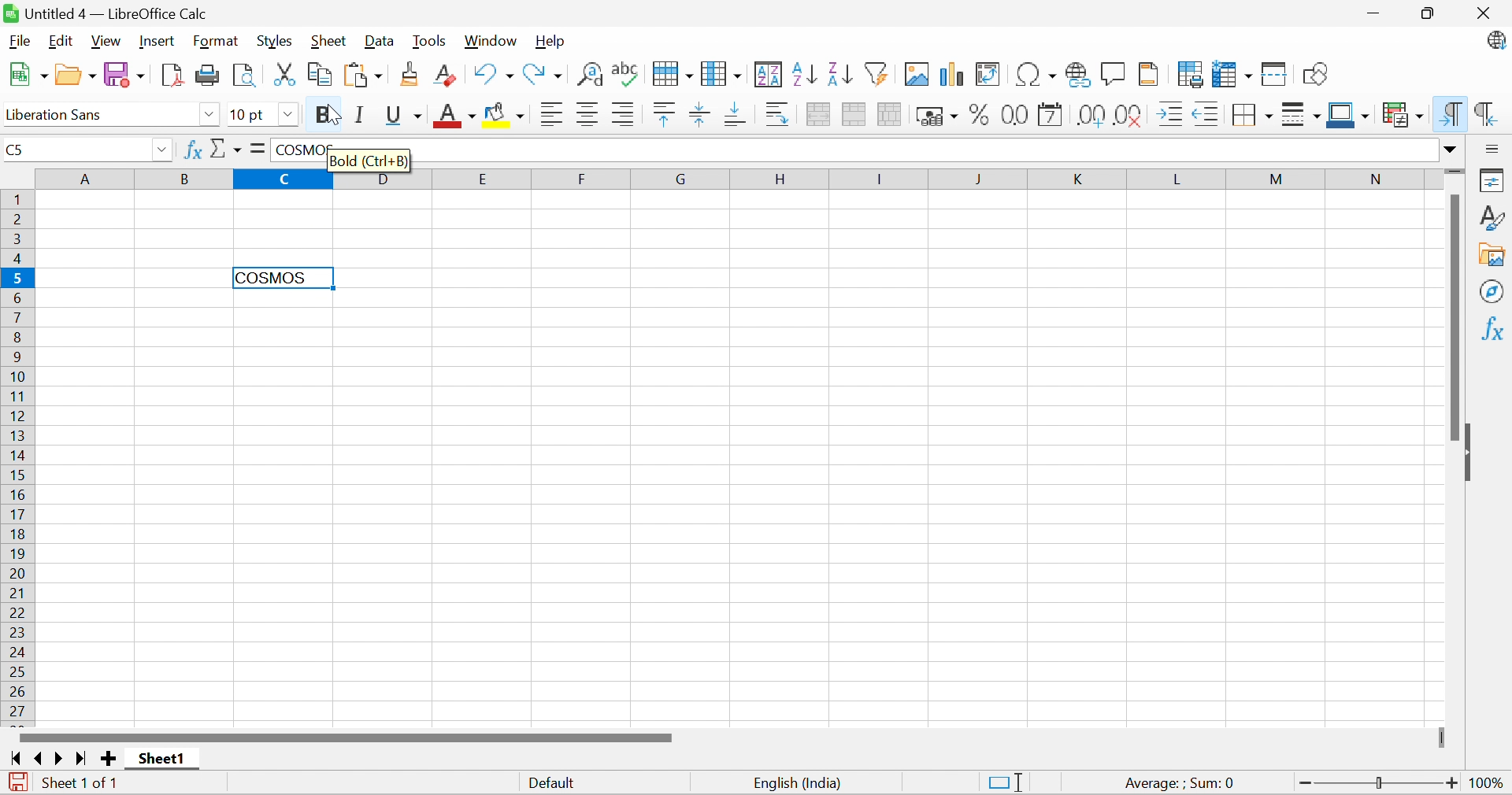  I want to click on Unmerge Cells, so click(890, 115).